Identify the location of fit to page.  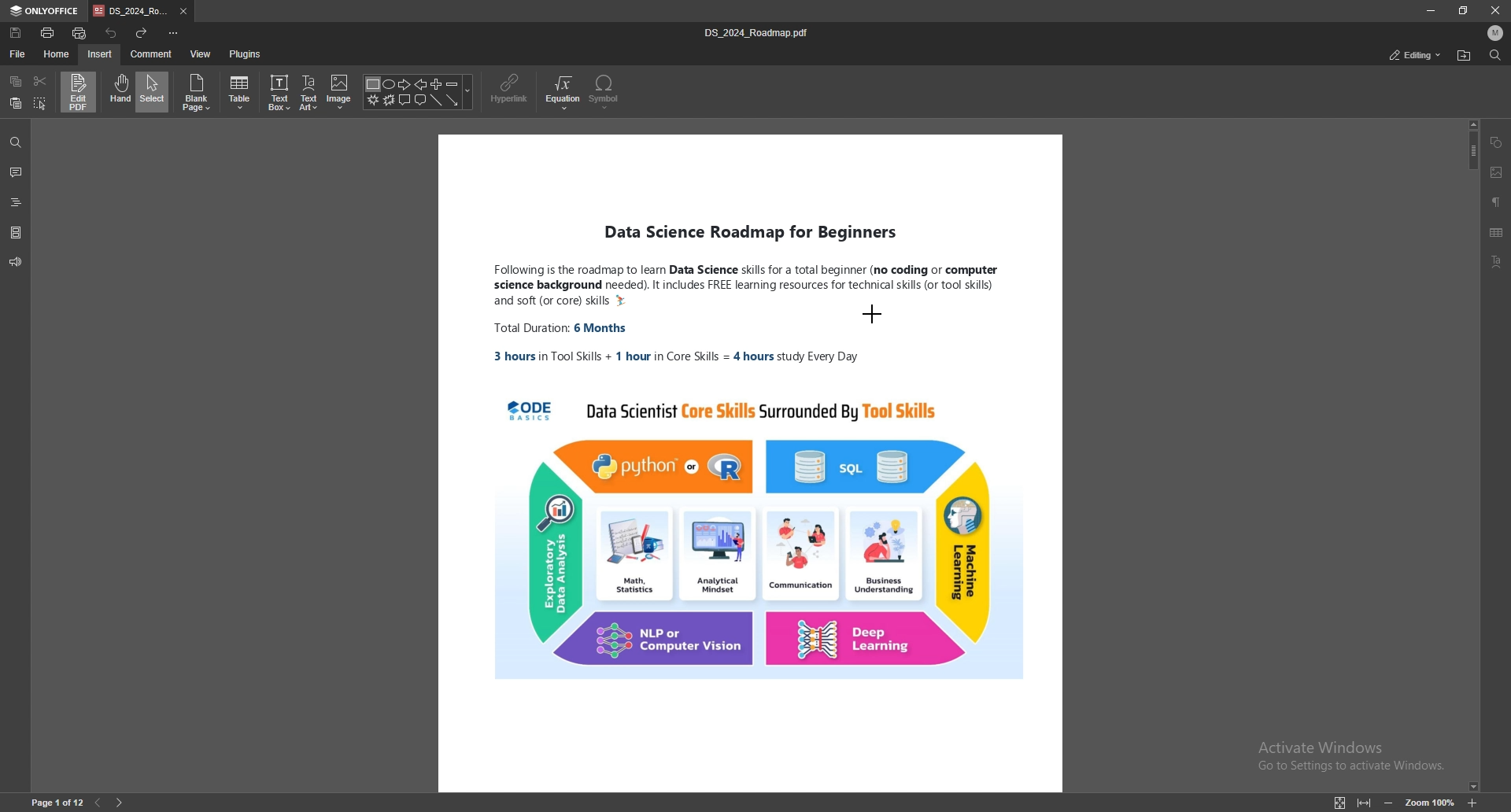
(1339, 803).